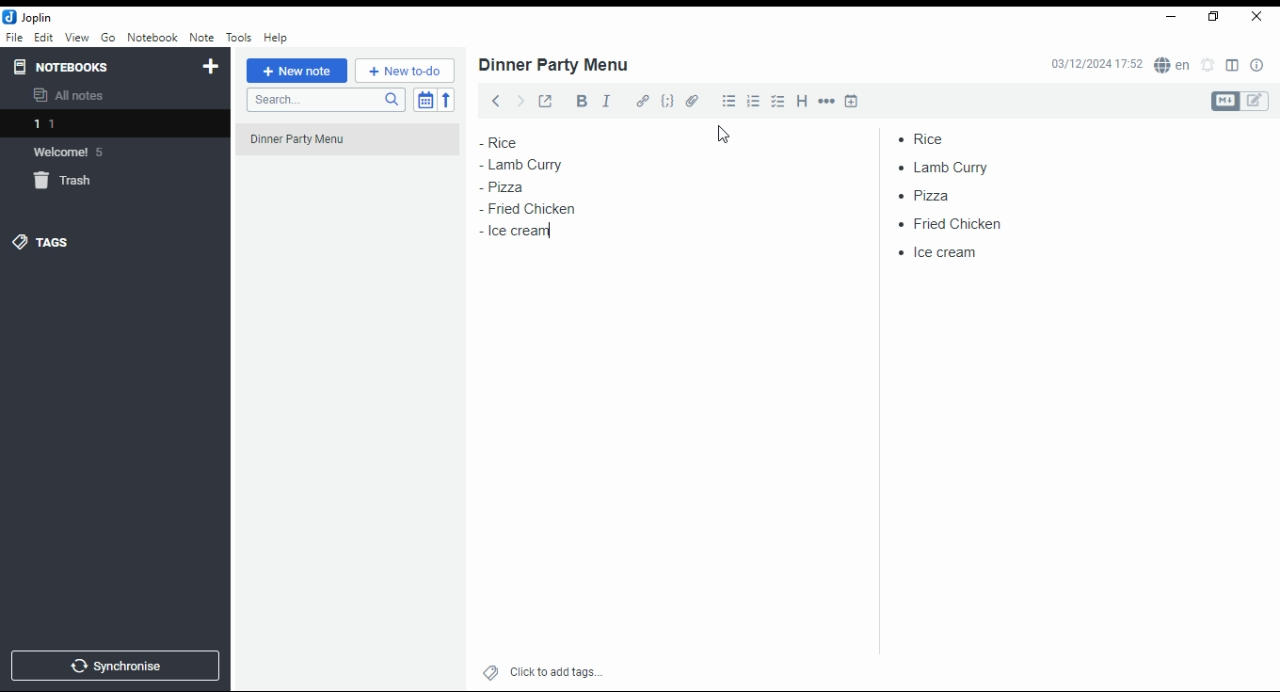  Describe the element at coordinates (76, 38) in the screenshot. I see `view` at that location.